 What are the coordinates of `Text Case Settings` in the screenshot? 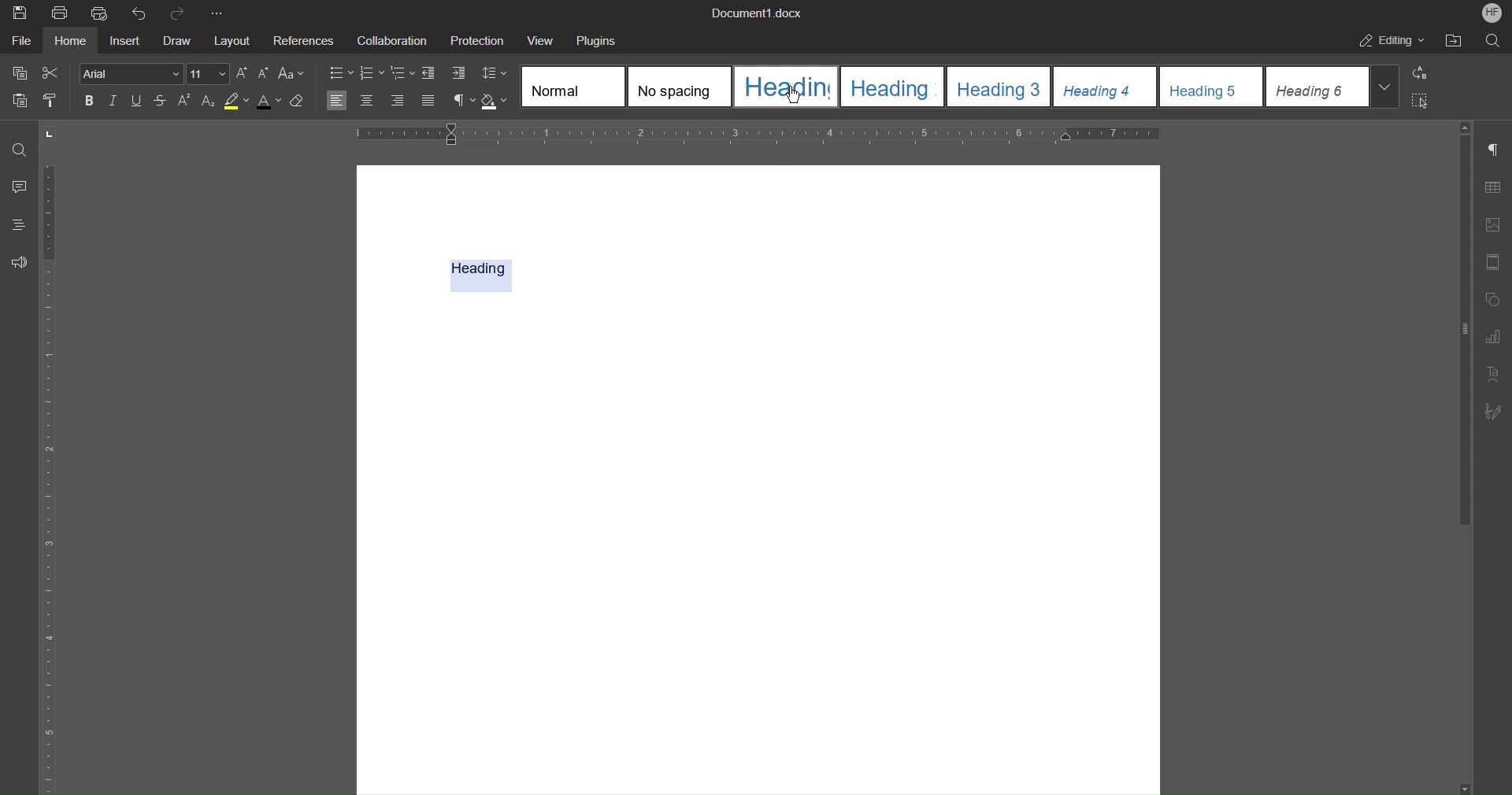 It's located at (293, 74).